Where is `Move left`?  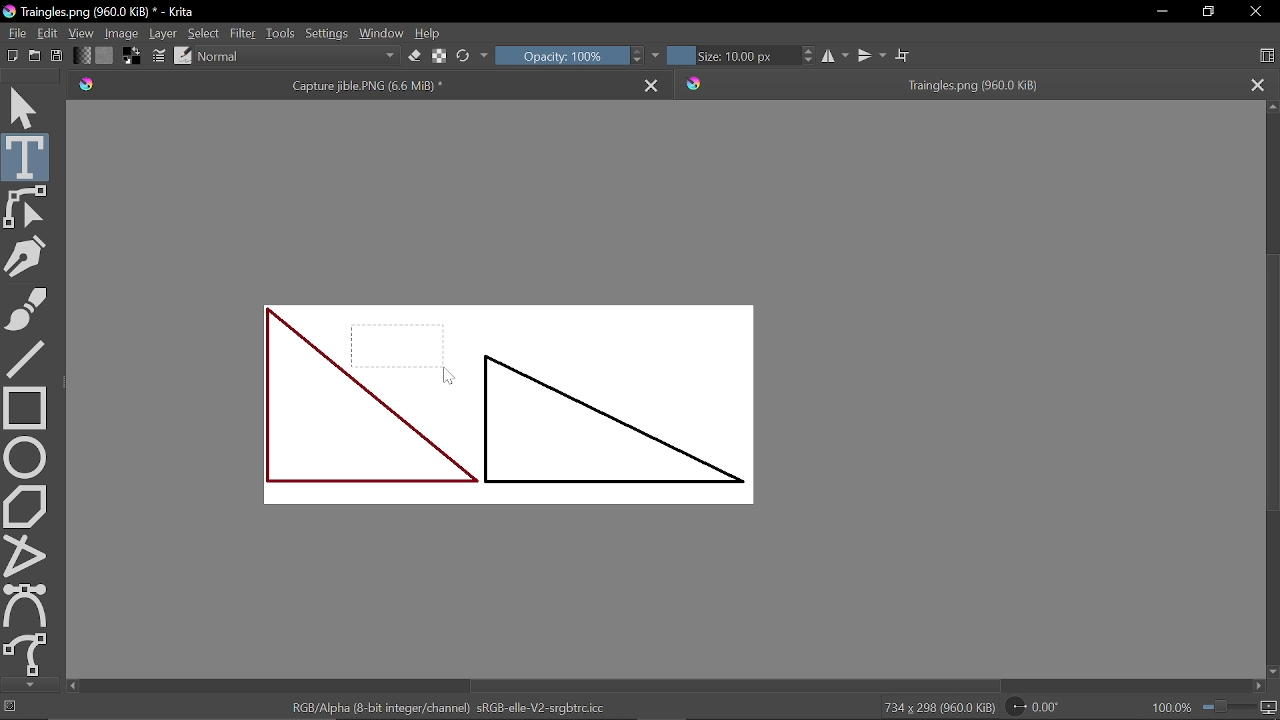
Move left is located at coordinates (72, 686).